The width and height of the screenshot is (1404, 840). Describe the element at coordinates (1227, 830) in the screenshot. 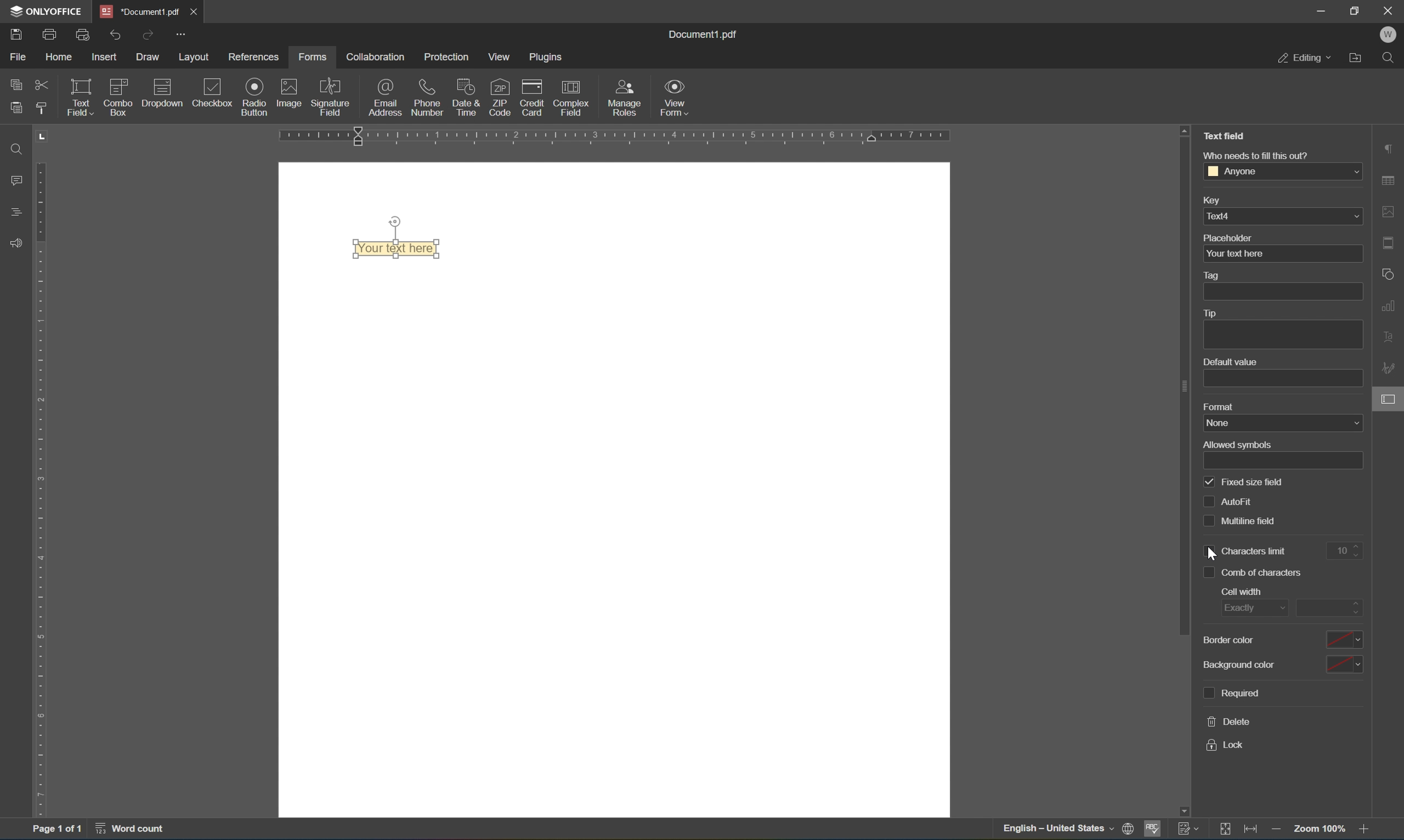

I see `Track changes` at that location.